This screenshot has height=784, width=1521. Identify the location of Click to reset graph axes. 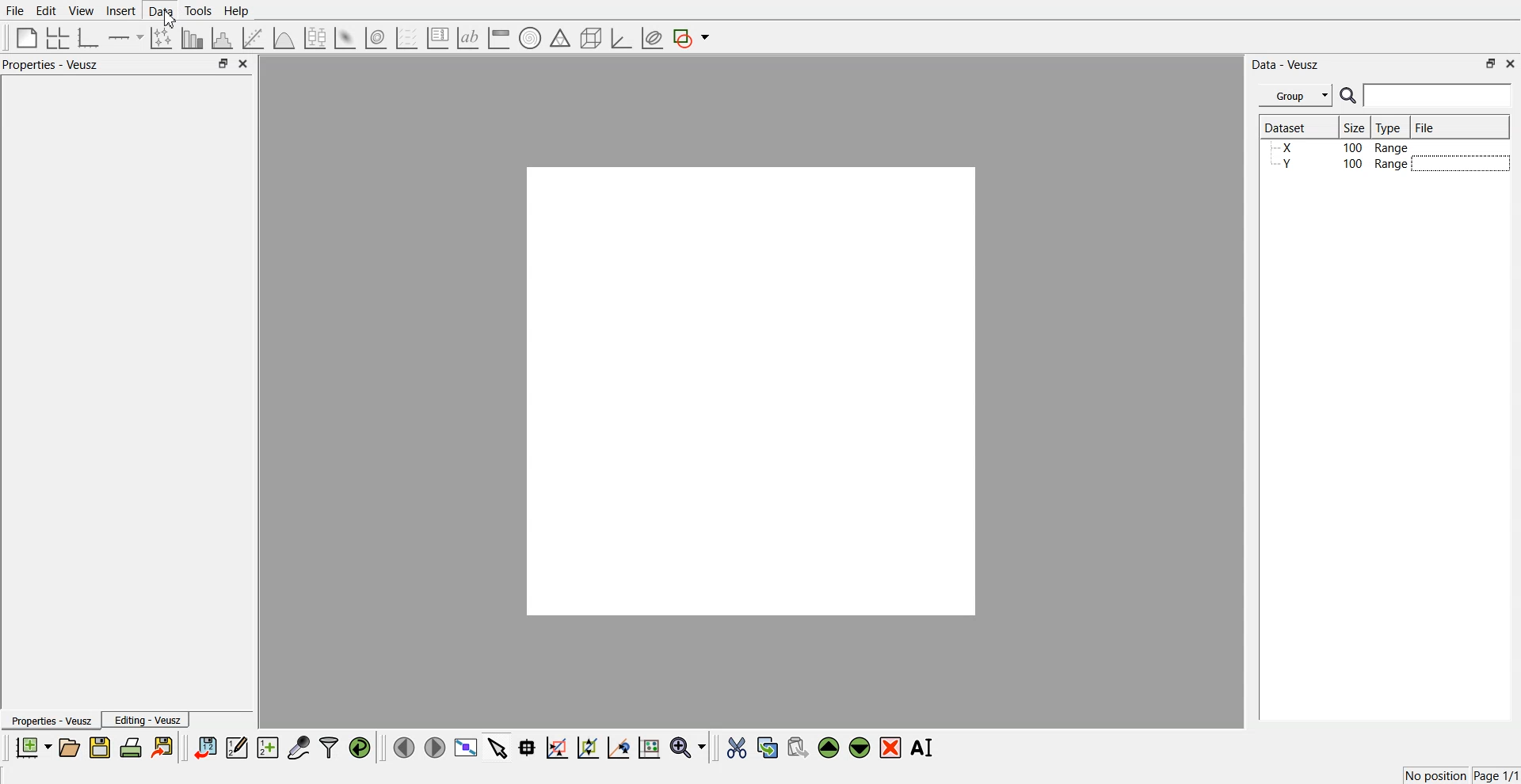
(649, 746).